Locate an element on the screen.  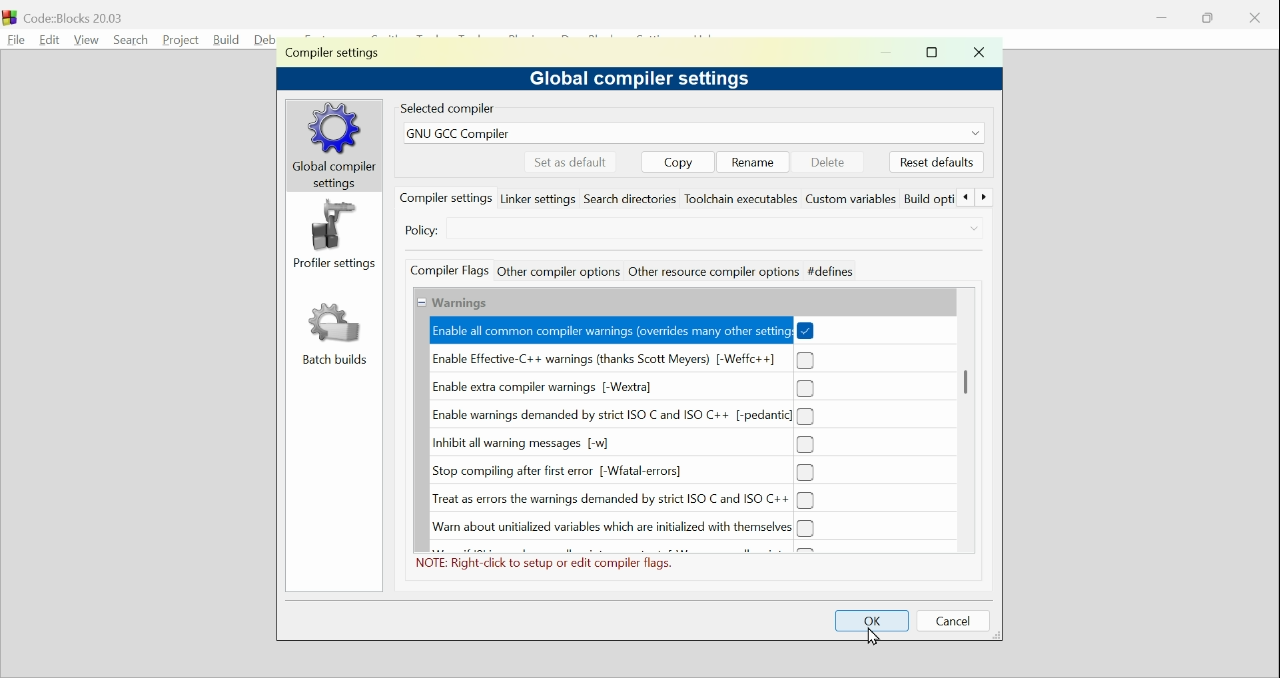
Restore is located at coordinates (1210, 18).